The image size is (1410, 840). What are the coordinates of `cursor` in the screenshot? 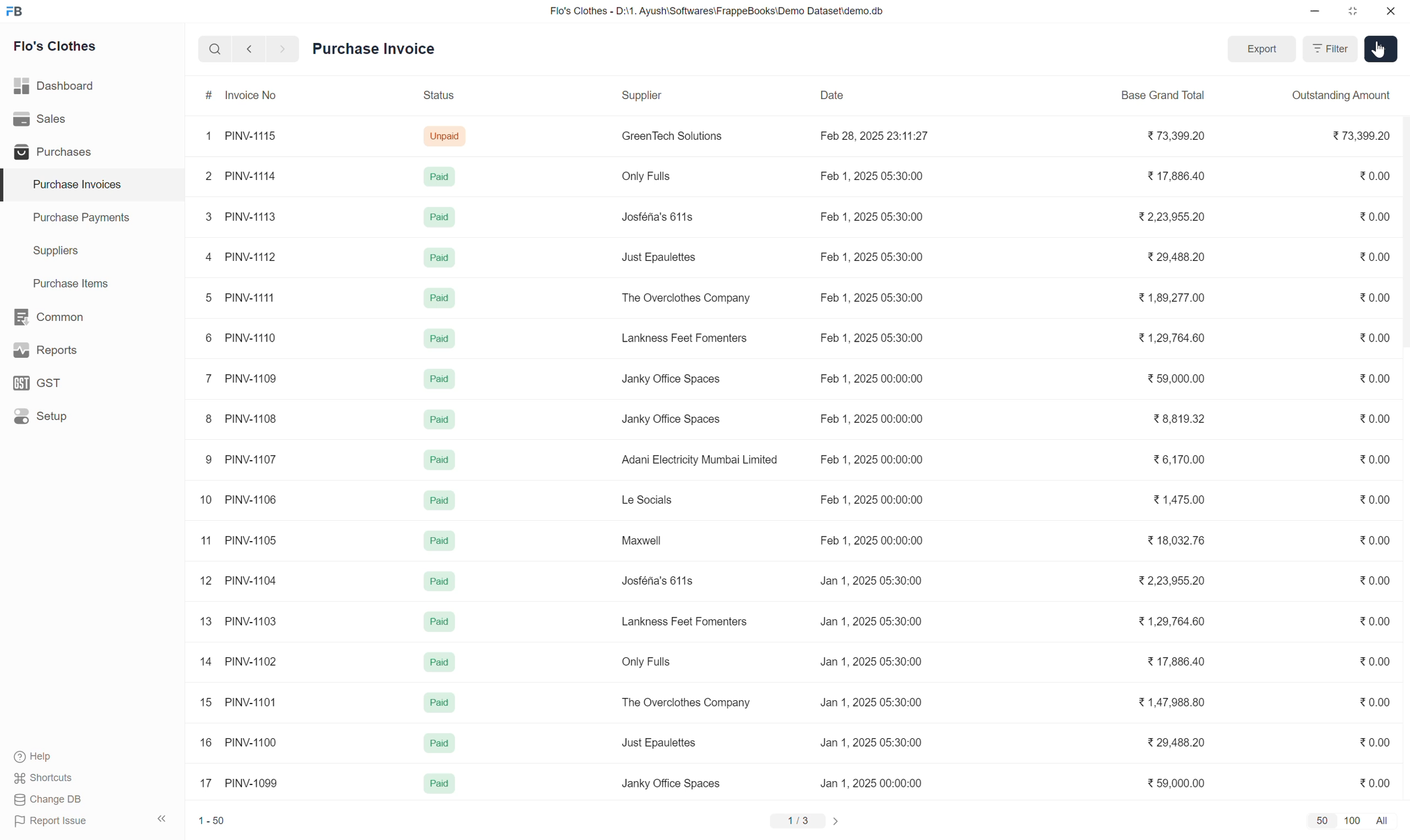 It's located at (1373, 59).